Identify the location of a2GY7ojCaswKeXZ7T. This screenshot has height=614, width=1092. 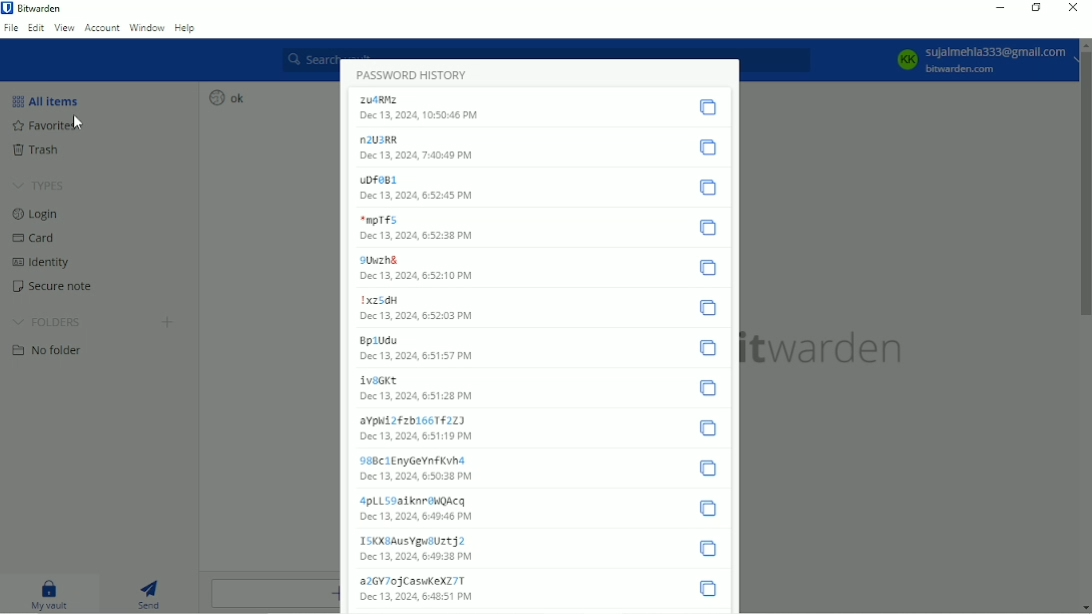
(412, 580).